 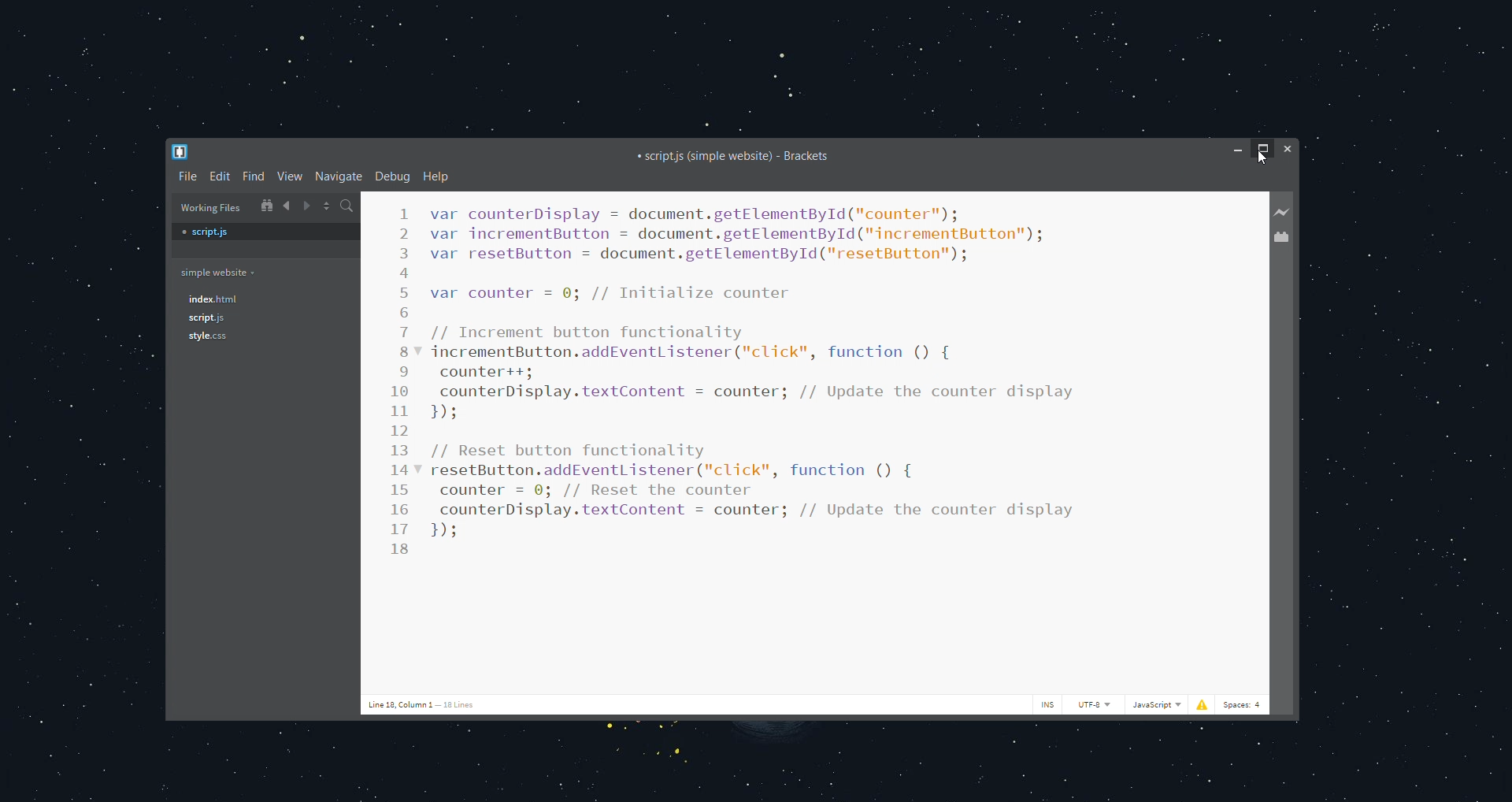 What do you see at coordinates (1046, 705) in the screenshot?
I see `cursor toggle` at bounding box center [1046, 705].